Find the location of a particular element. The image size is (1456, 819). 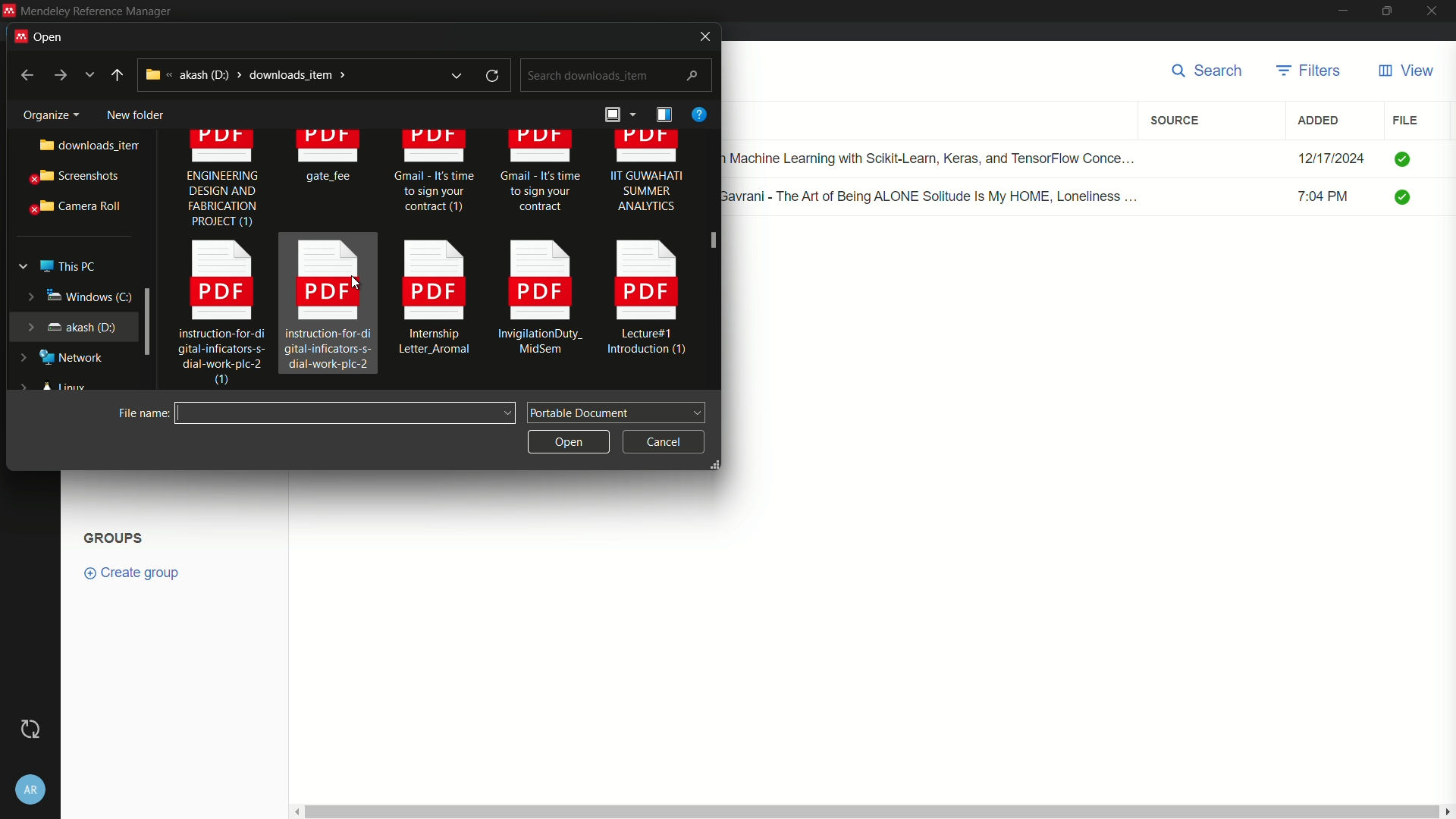

create group is located at coordinates (140, 572).